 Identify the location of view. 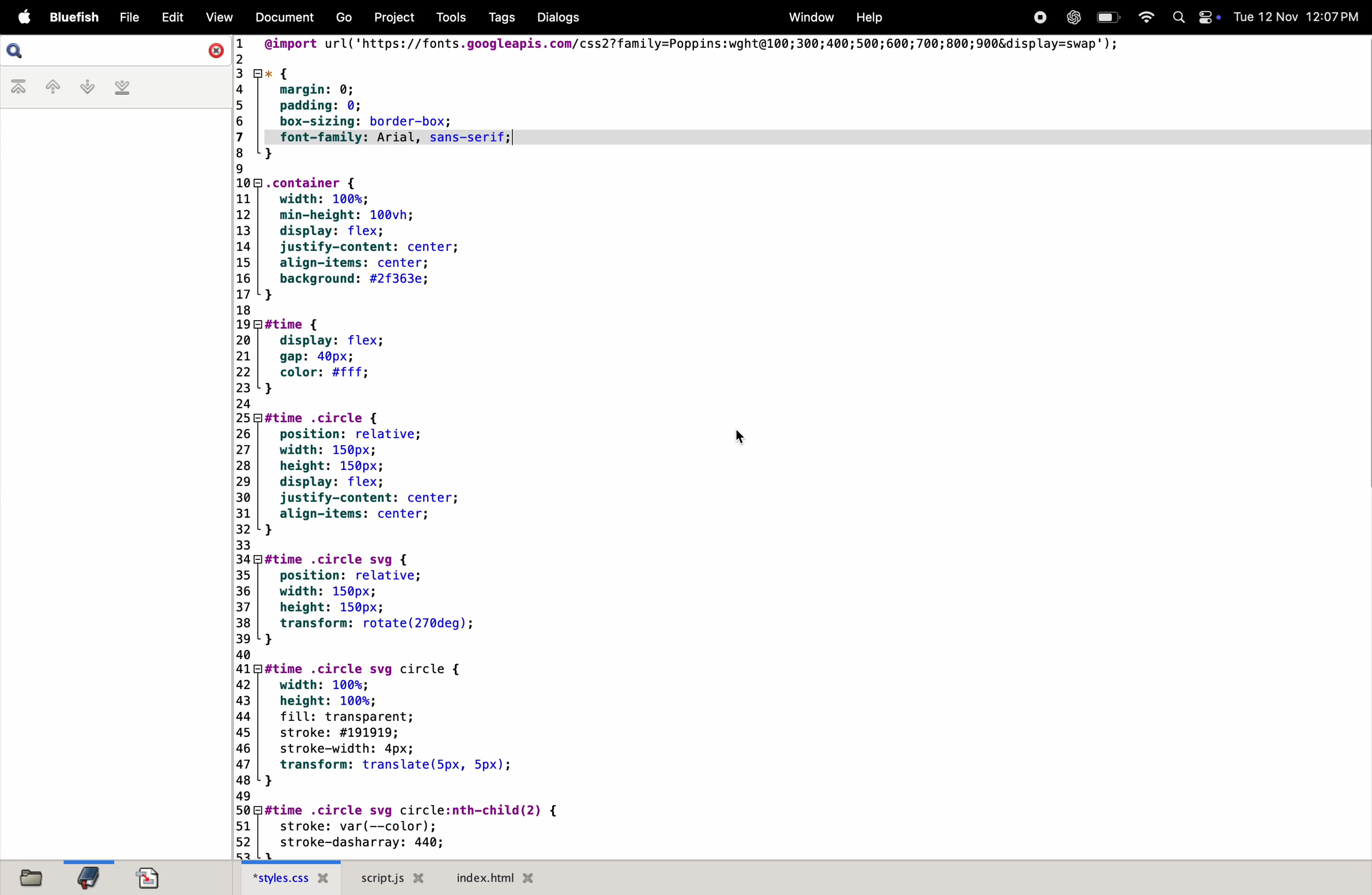
(218, 18).